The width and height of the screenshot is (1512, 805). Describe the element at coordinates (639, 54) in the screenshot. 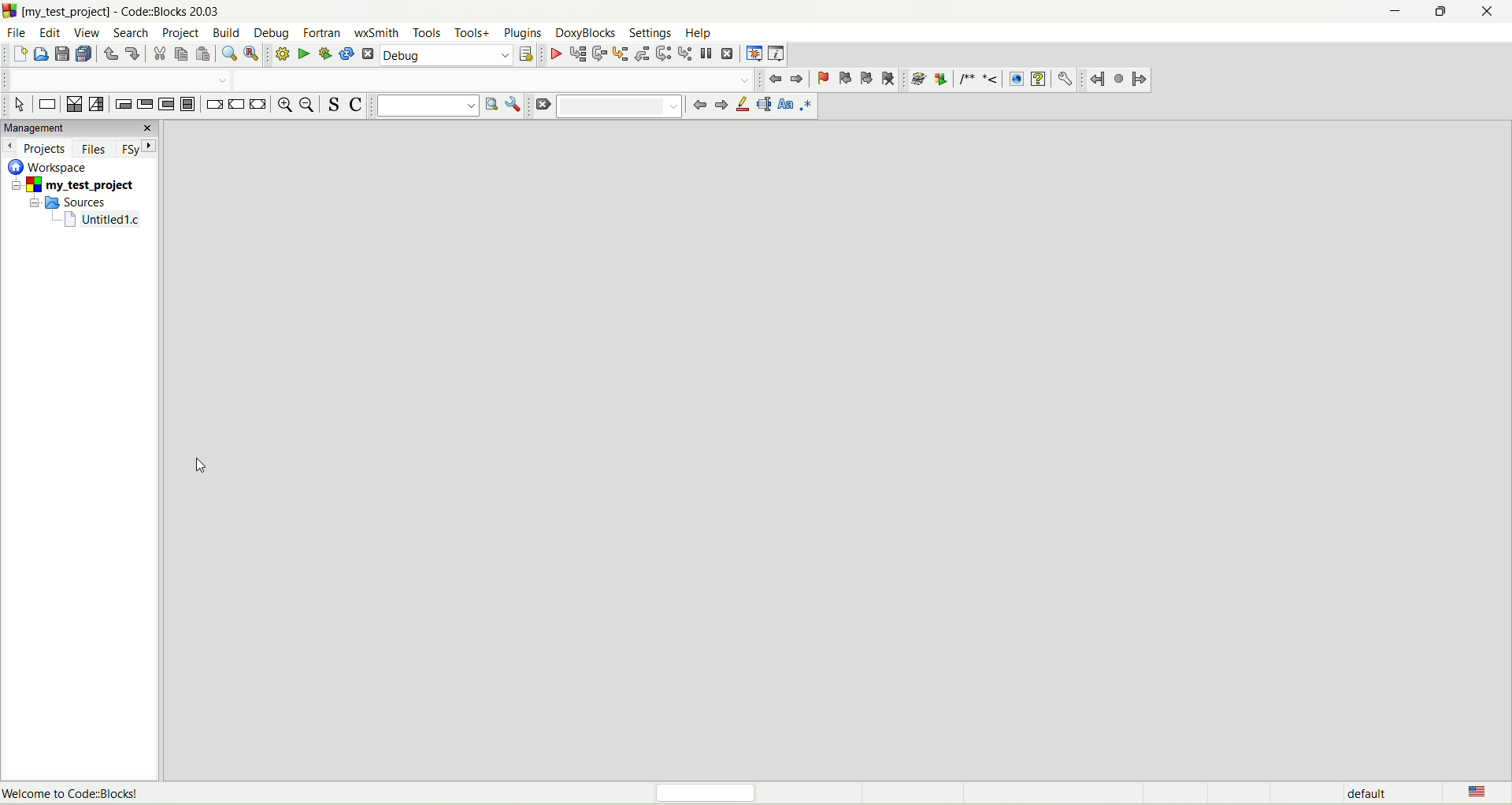

I see `step out` at that location.